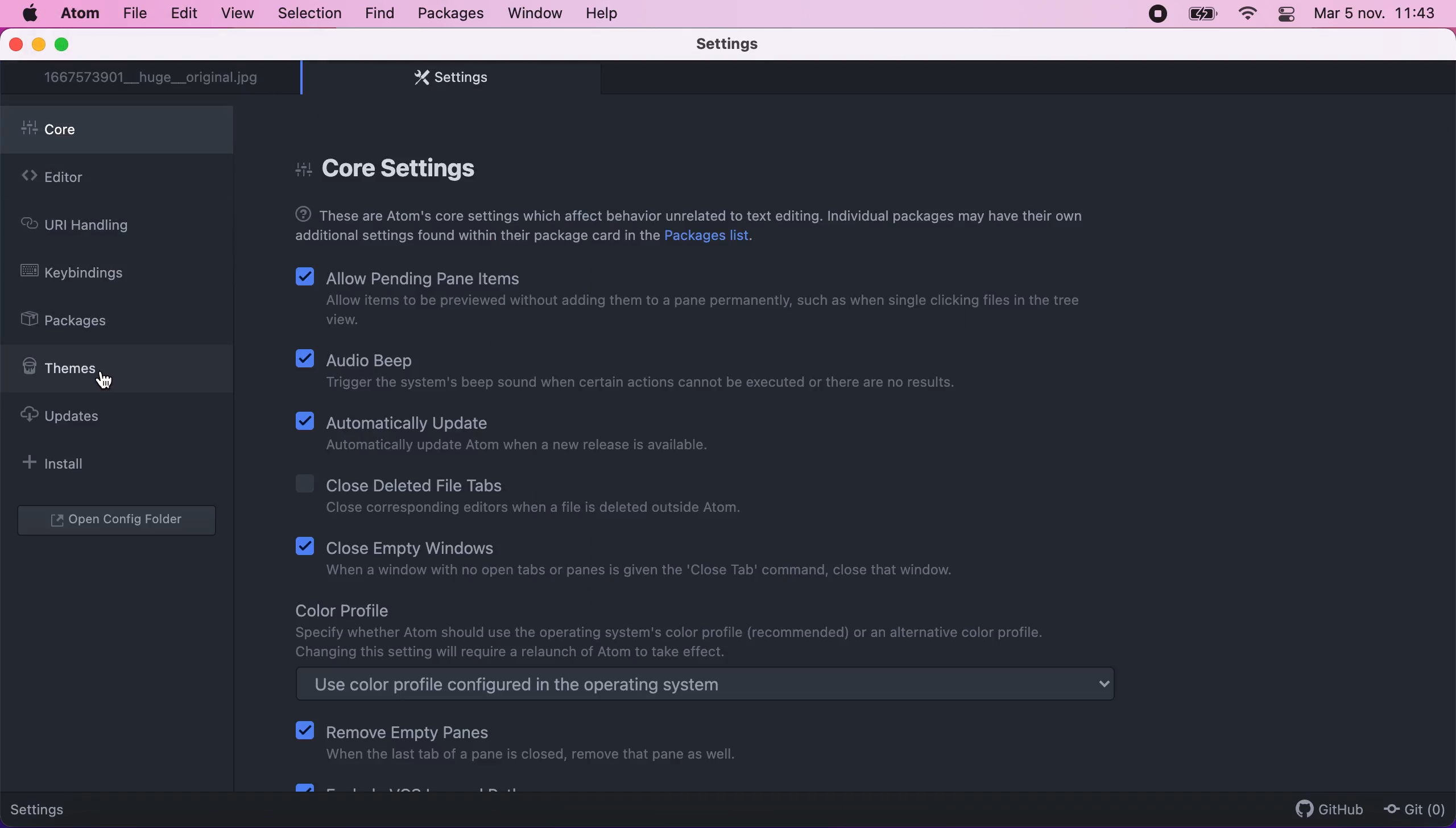  I want to click on help, so click(609, 15).